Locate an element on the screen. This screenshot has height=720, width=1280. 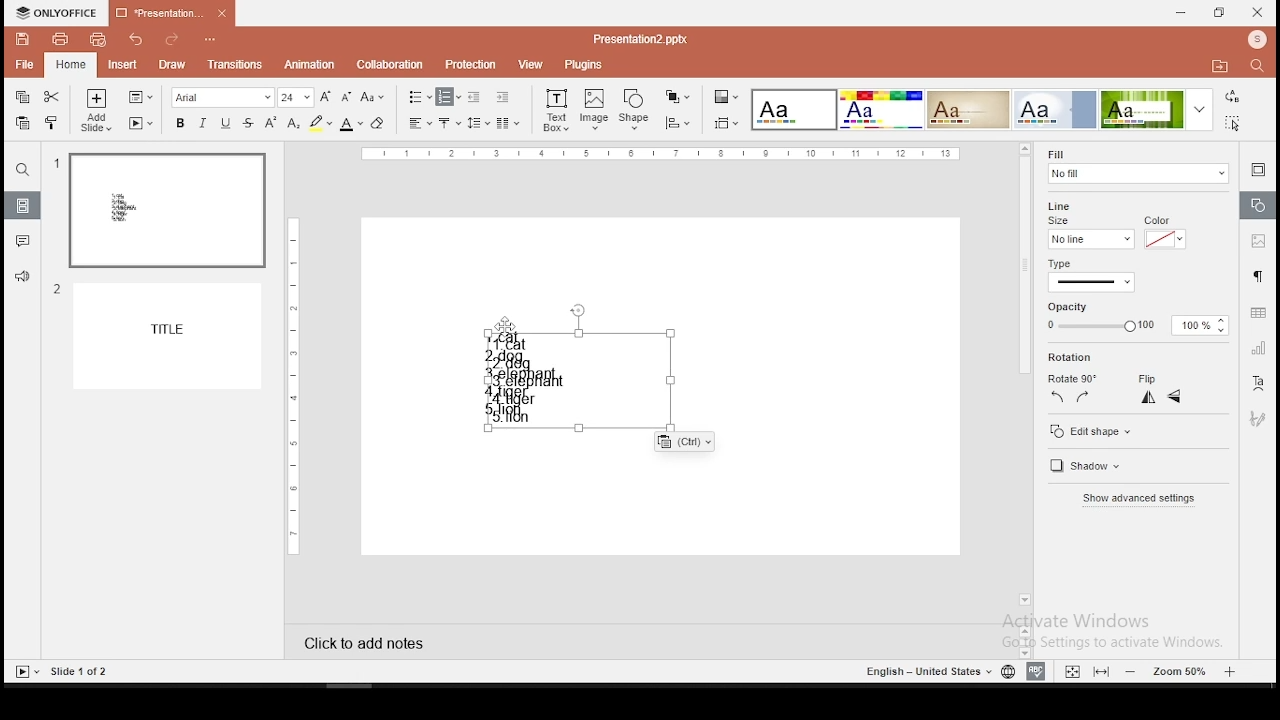
clone formatting is located at coordinates (54, 123).